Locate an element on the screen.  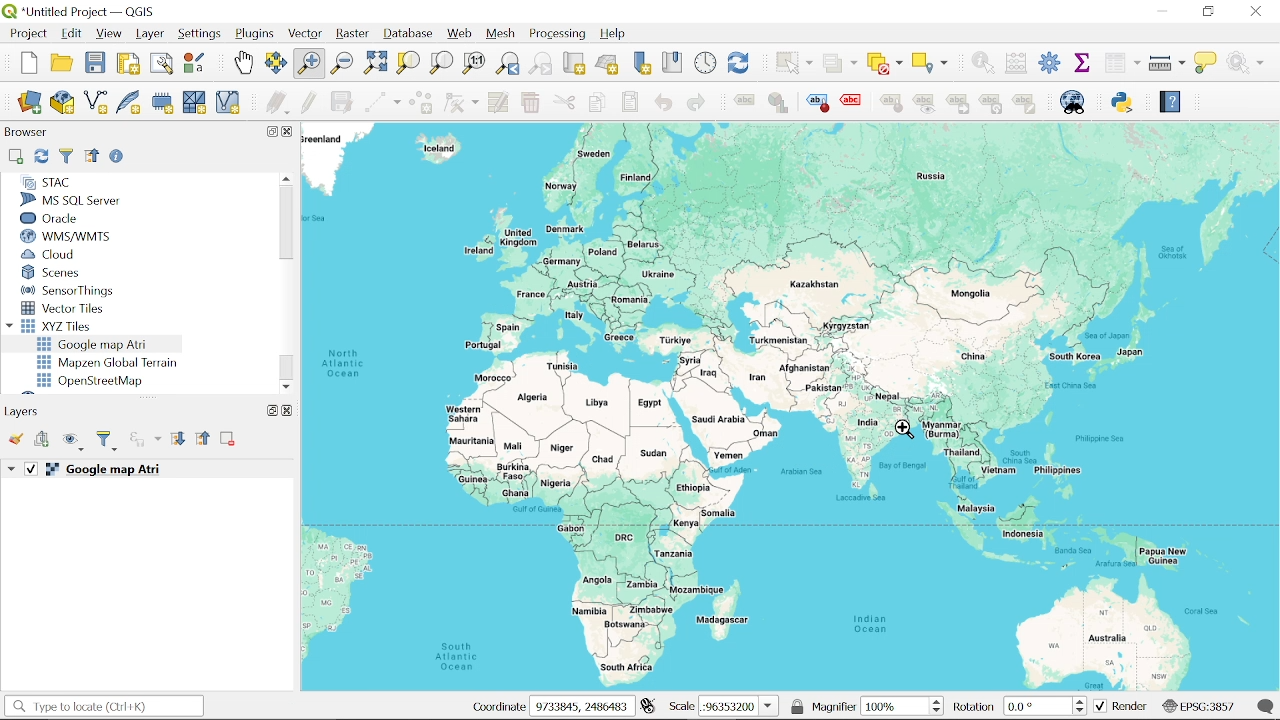
Highlihght pinned labels is located at coordinates (817, 103).